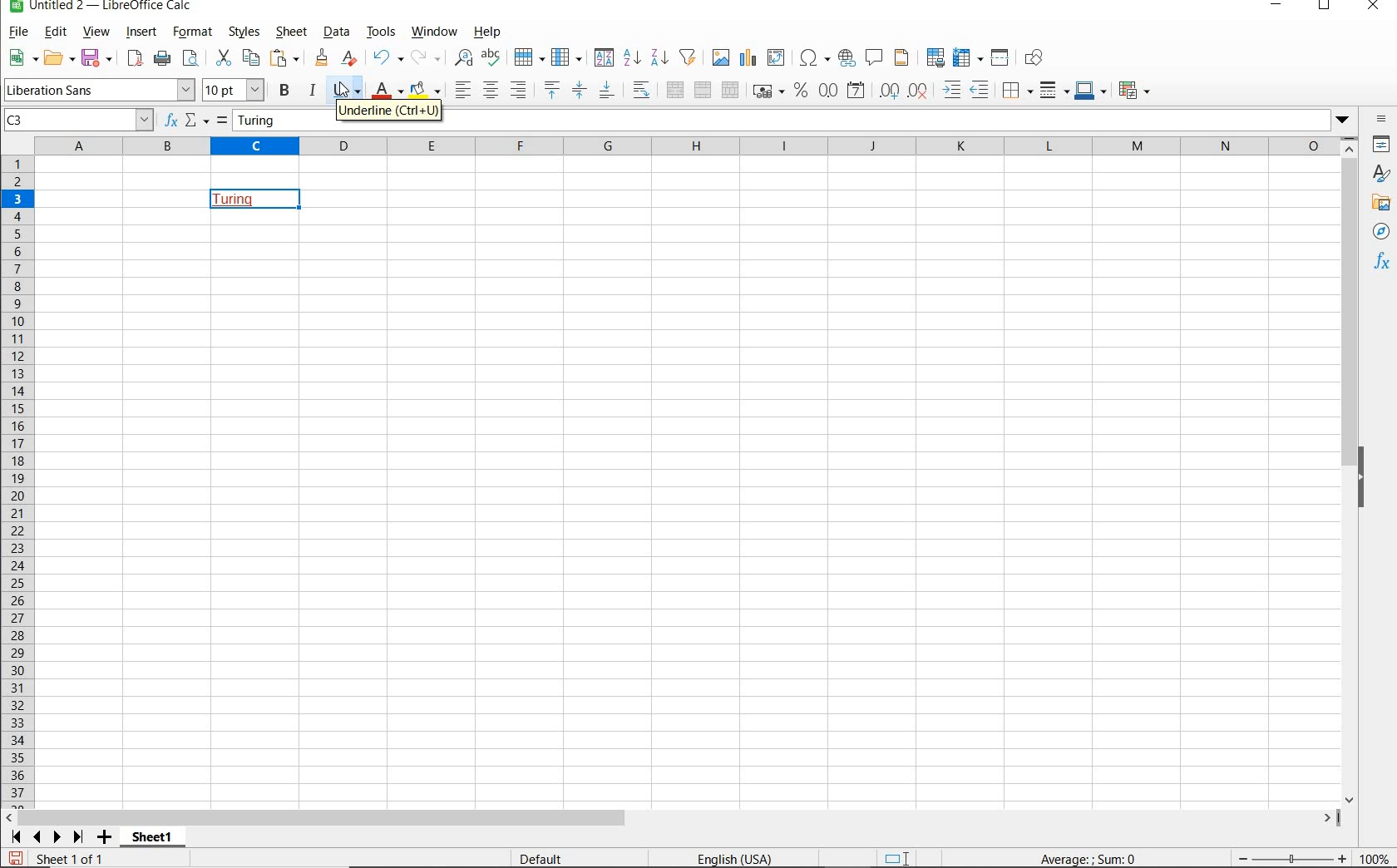  What do you see at coordinates (1288, 856) in the screenshot?
I see `ZOOM OUT OR ZOOM IN` at bounding box center [1288, 856].